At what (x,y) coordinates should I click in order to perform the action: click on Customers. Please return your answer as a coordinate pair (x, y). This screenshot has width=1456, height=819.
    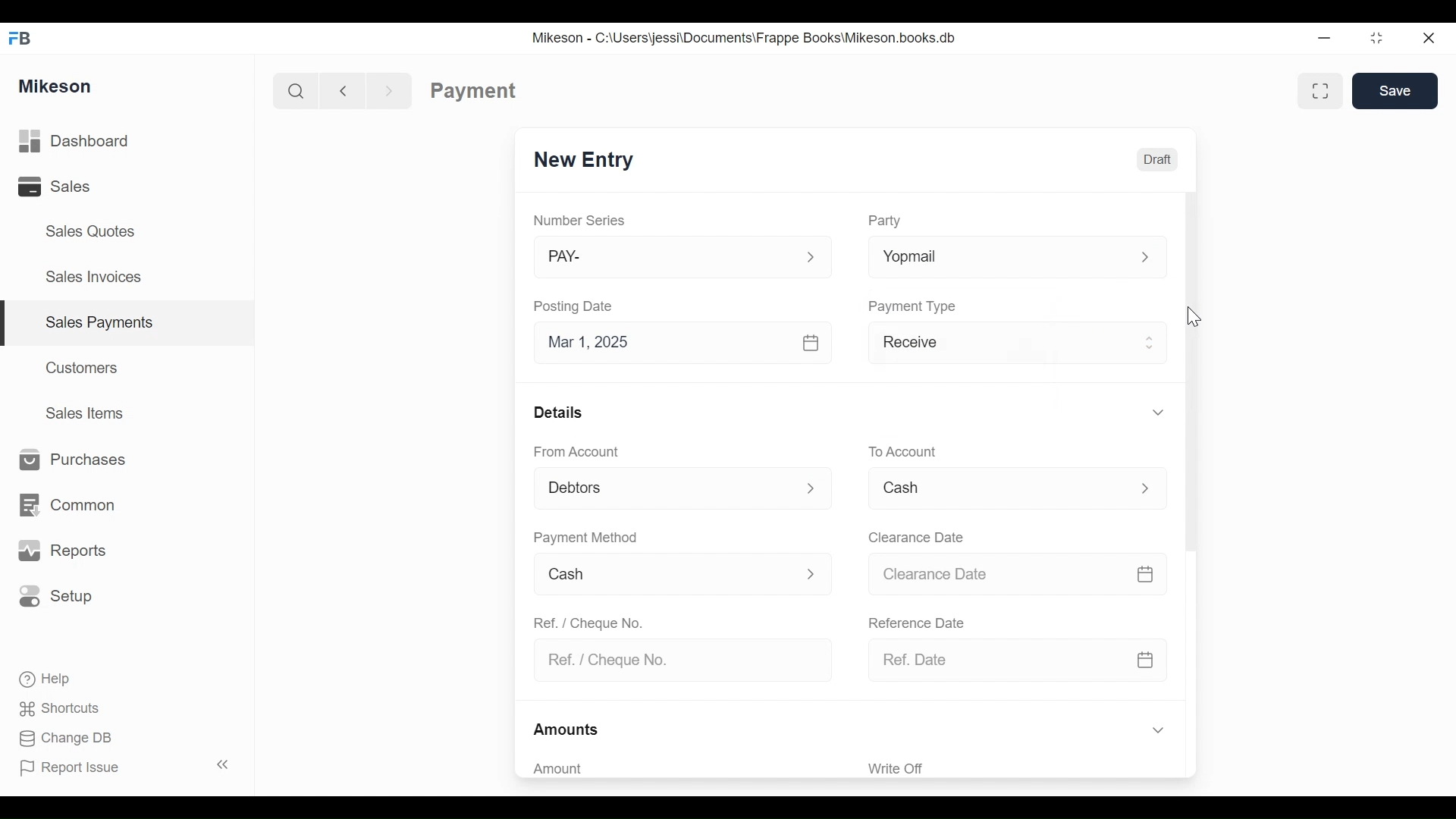
    Looking at the image, I should click on (86, 366).